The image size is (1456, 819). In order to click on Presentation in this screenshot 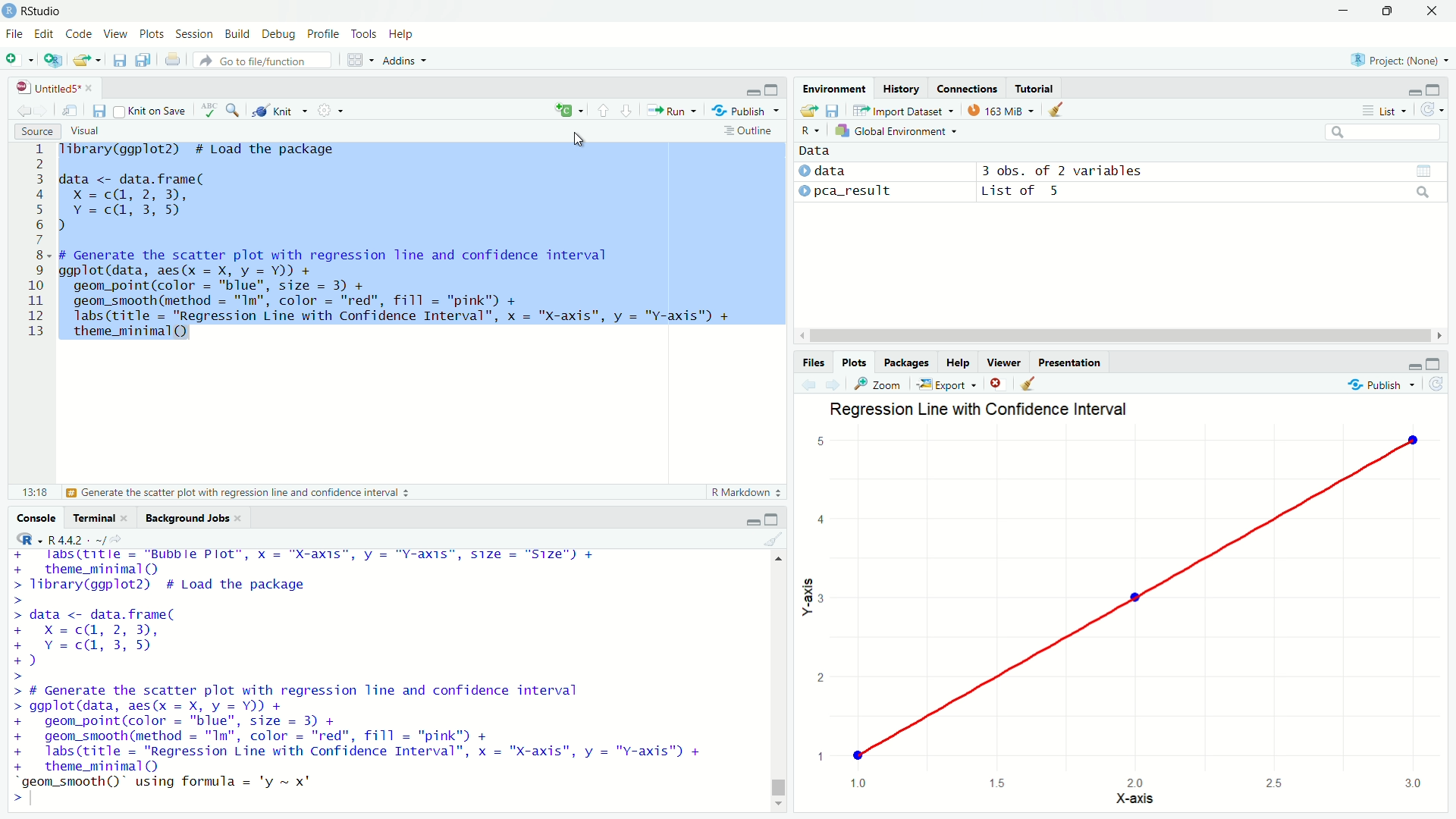, I will do `click(1069, 362)`.